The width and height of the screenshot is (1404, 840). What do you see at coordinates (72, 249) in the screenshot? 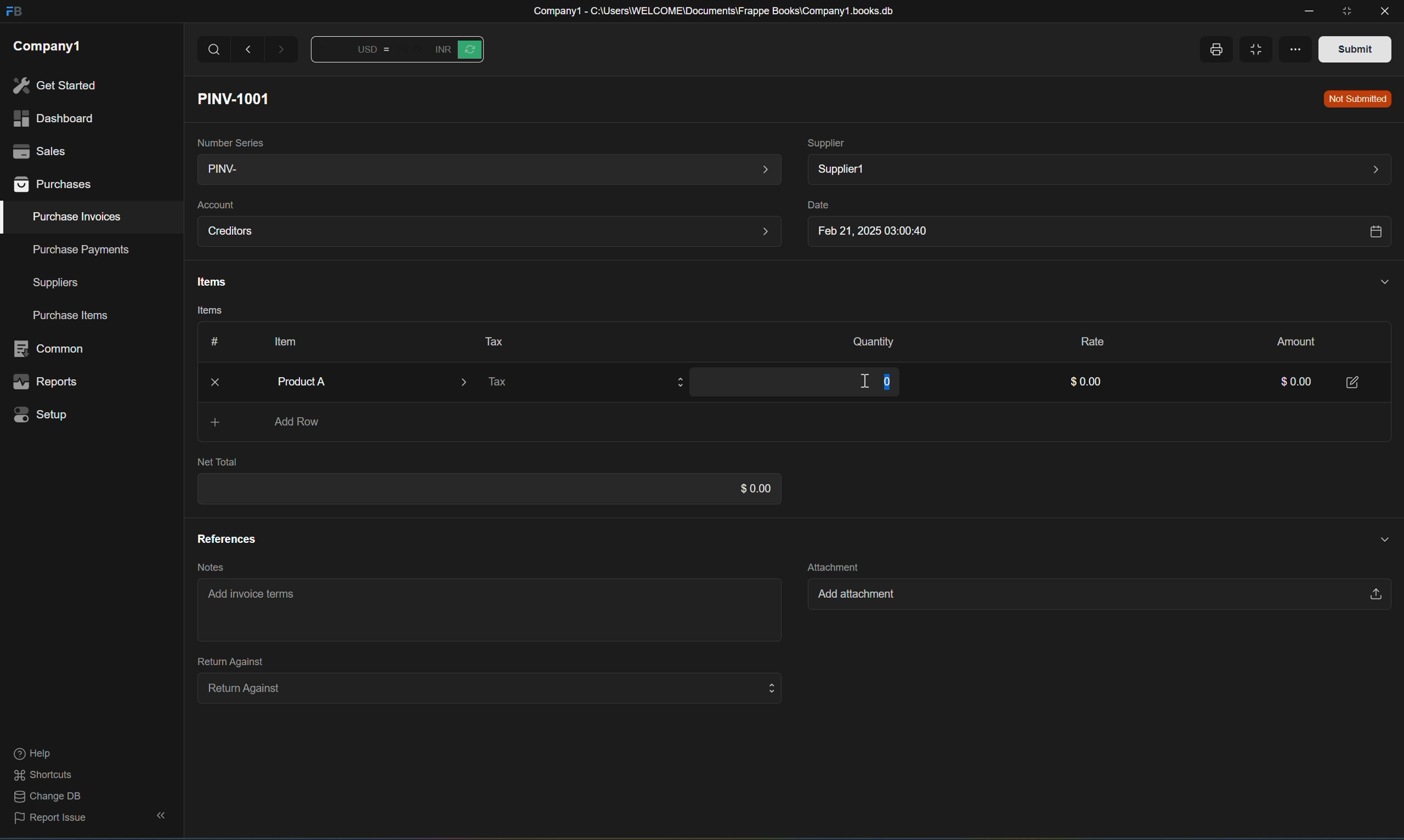
I see `purchase payments` at bounding box center [72, 249].